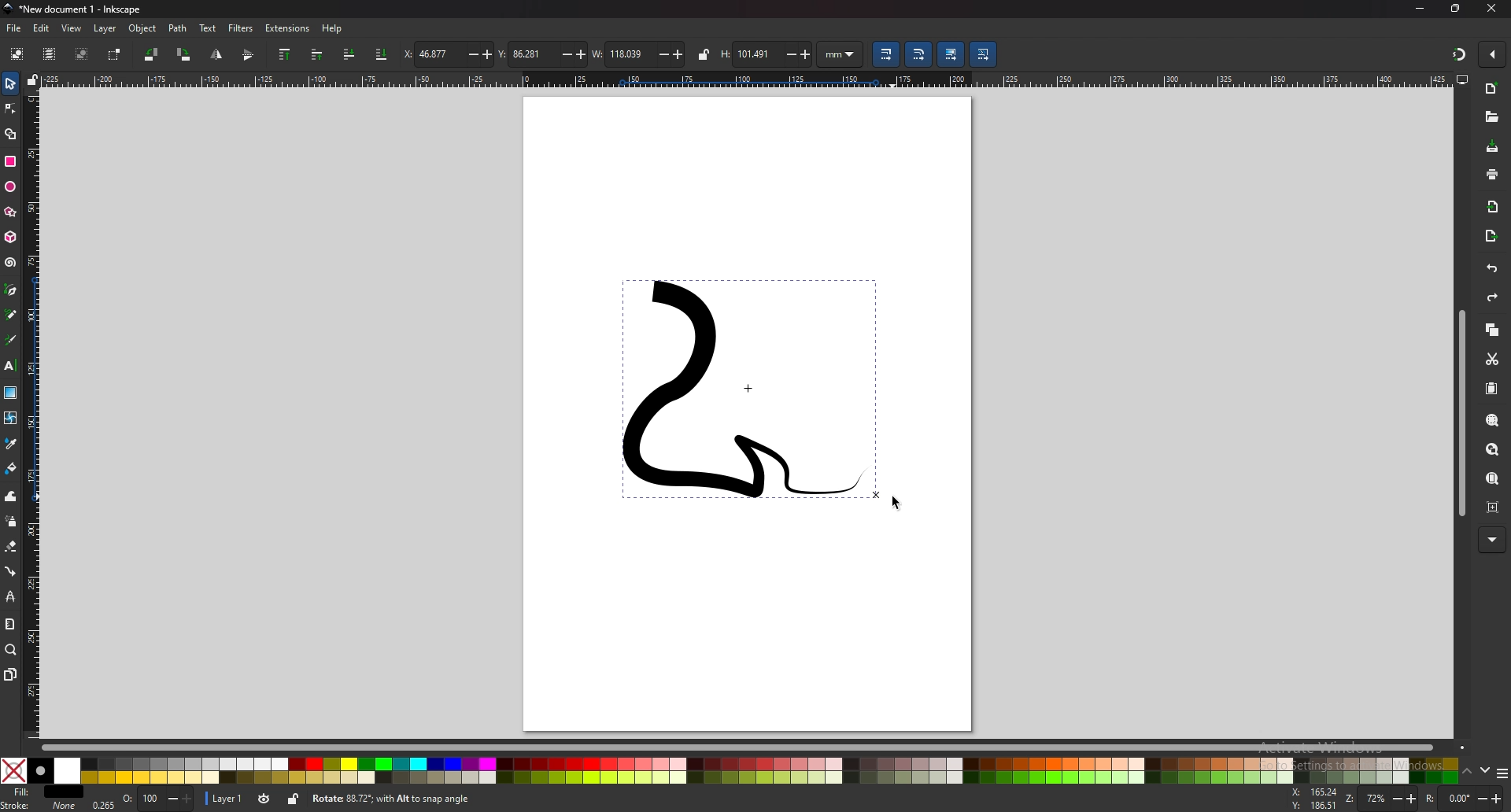  I want to click on layer, so click(225, 798).